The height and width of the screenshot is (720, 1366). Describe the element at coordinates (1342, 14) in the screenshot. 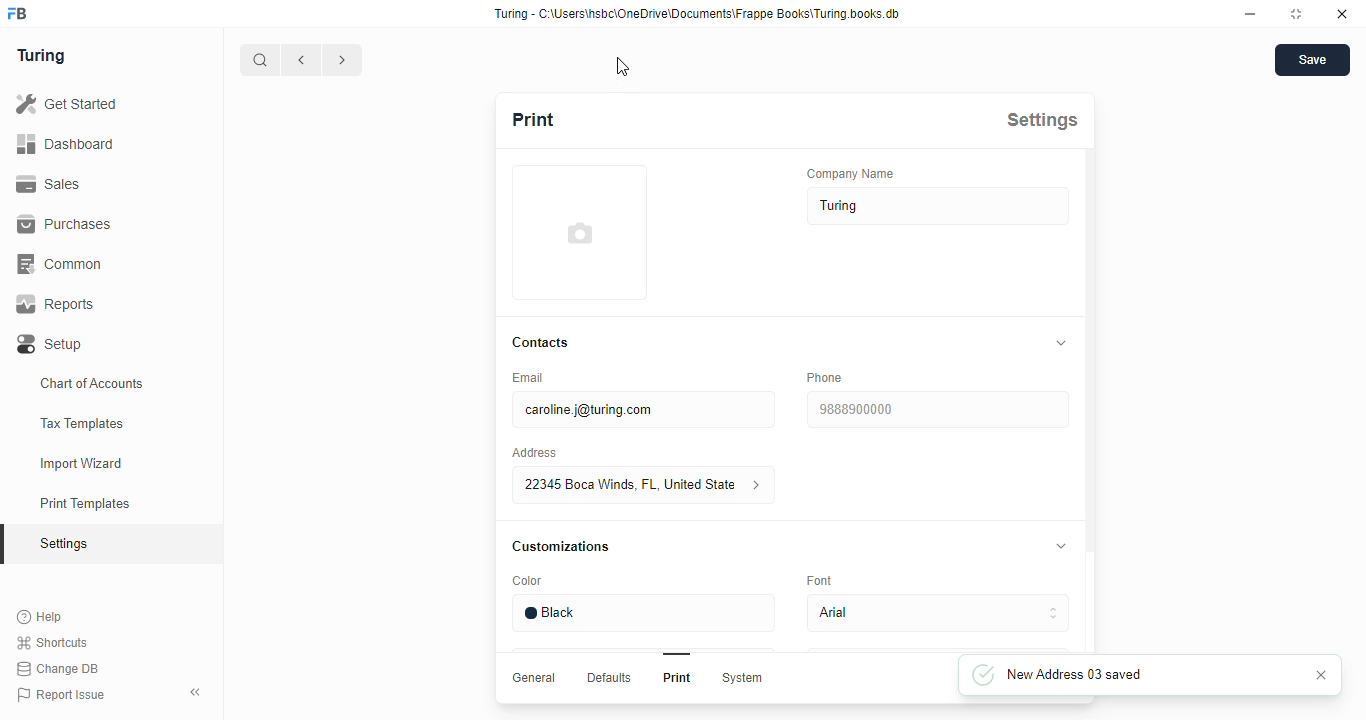

I see `close` at that location.